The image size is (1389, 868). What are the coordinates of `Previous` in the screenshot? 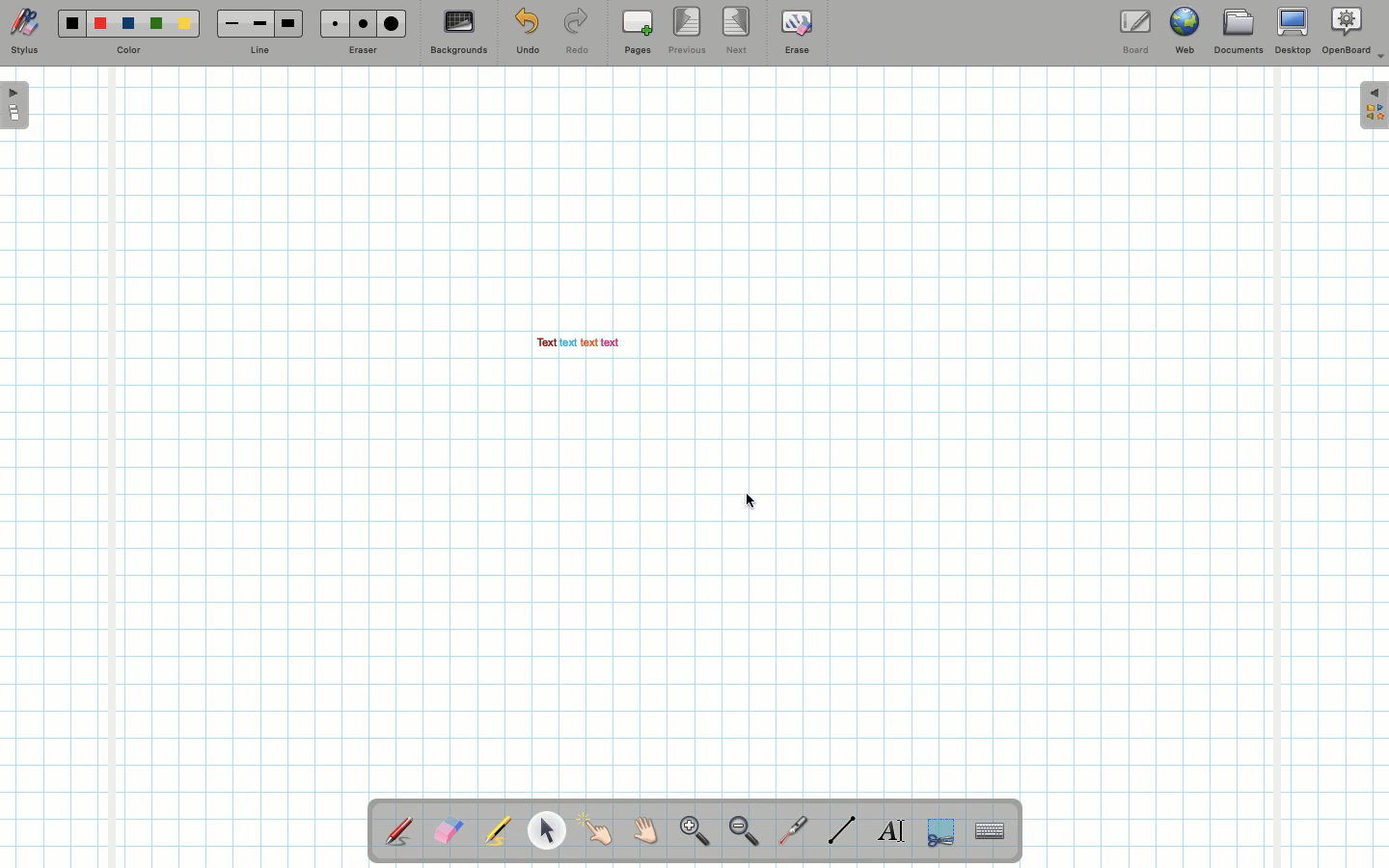 It's located at (689, 32).